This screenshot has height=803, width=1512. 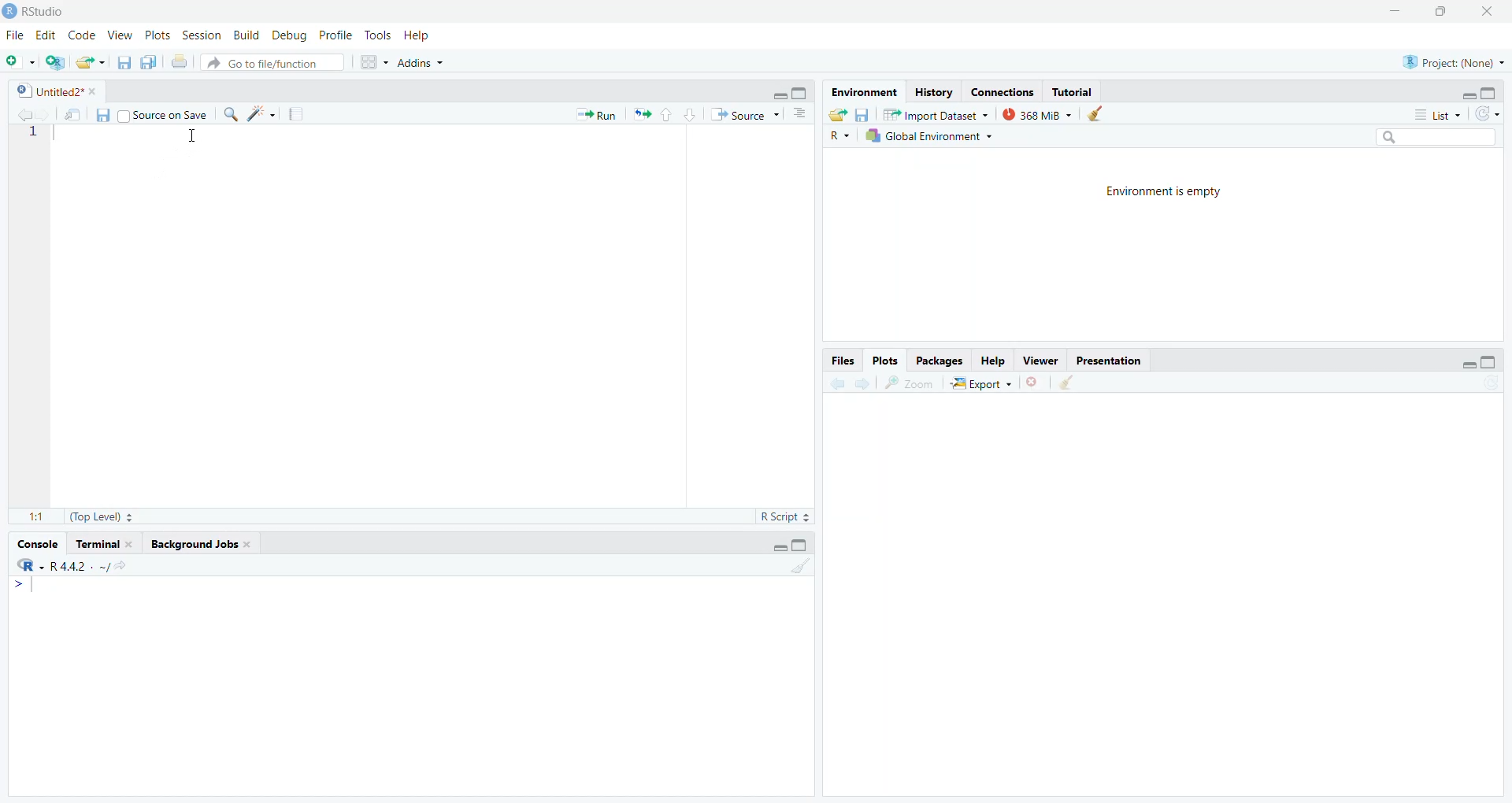 I want to click on Files, so click(x=835, y=361).